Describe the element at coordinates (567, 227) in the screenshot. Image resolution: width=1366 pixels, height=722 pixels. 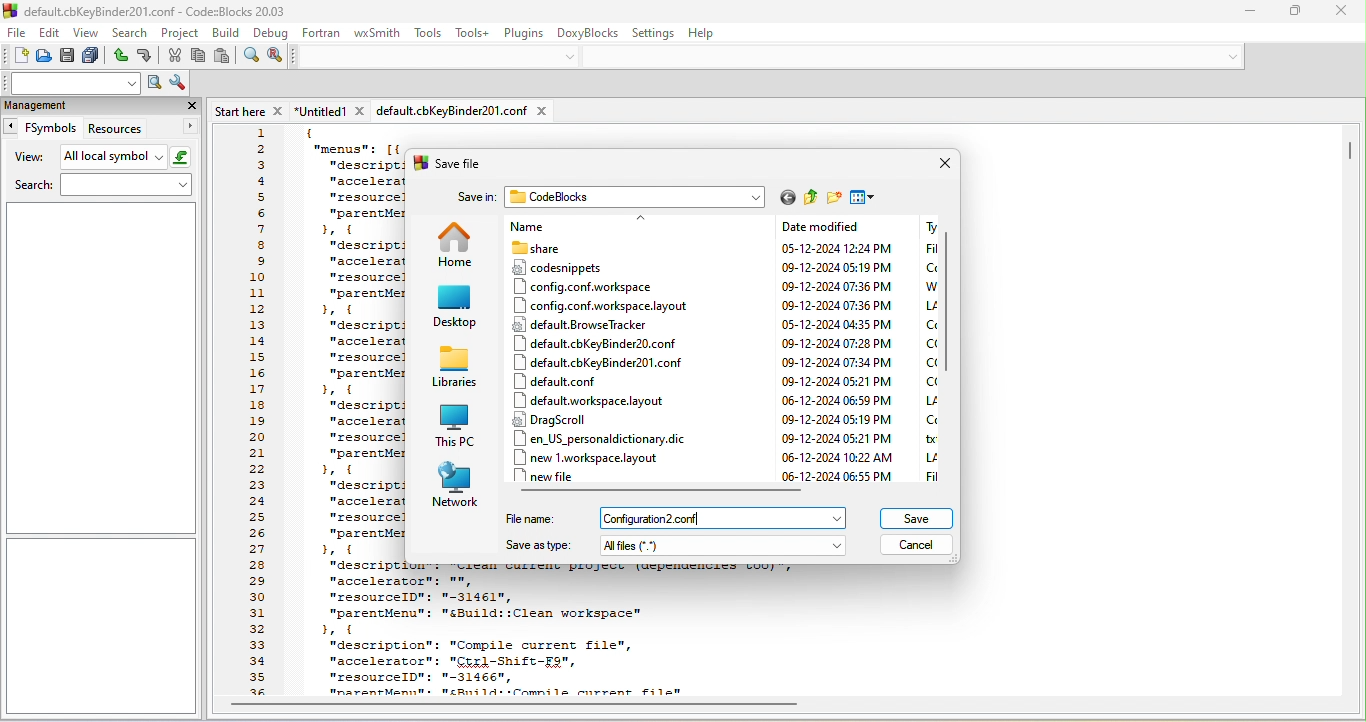
I see `name` at that location.